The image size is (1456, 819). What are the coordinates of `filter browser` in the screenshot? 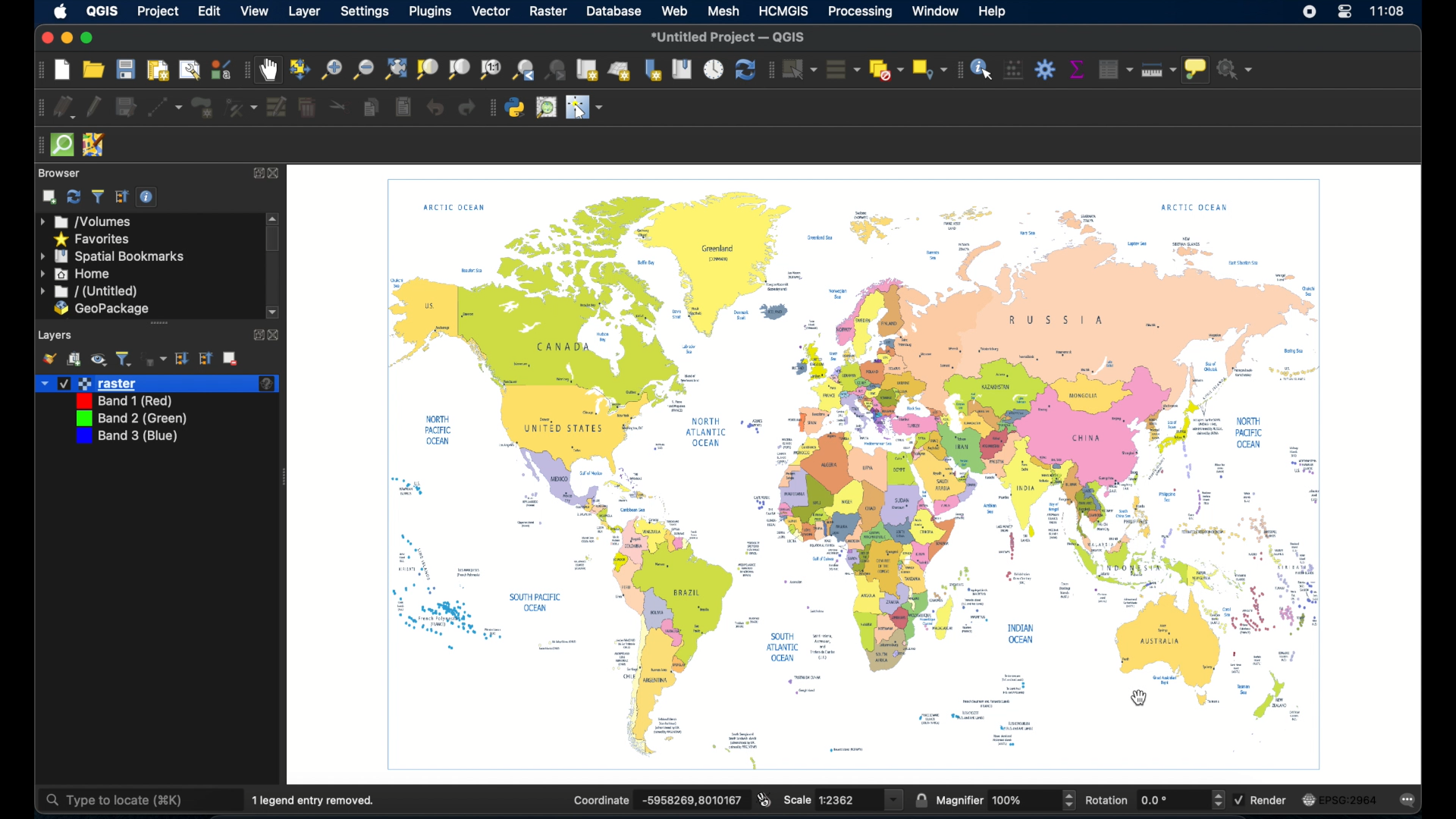 It's located at (98, 196).